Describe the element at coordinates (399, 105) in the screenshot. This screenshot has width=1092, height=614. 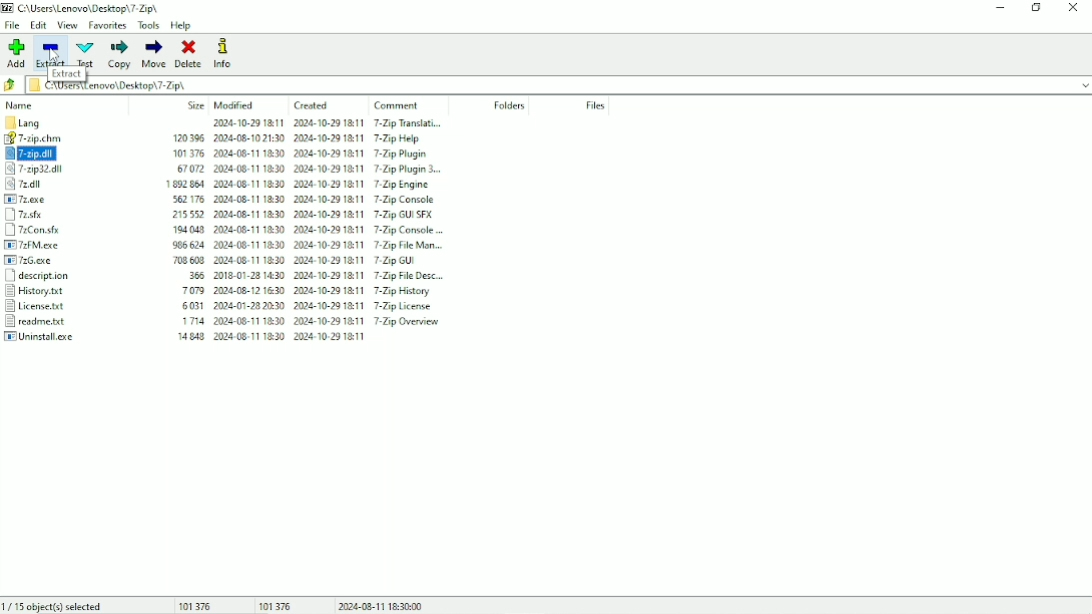
I see `Comment` at that location.